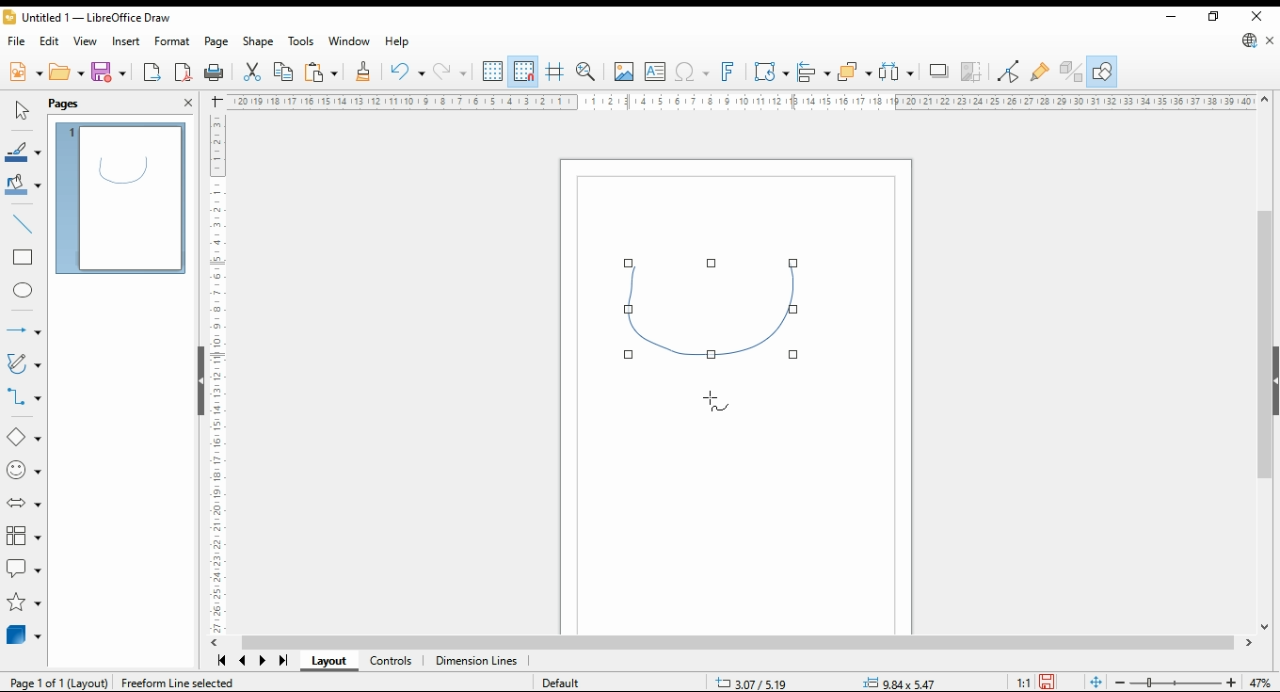 The height and width of the screenshot is (692, 1280). What do you see at coordinates (524, 71) in the screenshot?
I see `snap to grids` at bounding box center [524, 71].